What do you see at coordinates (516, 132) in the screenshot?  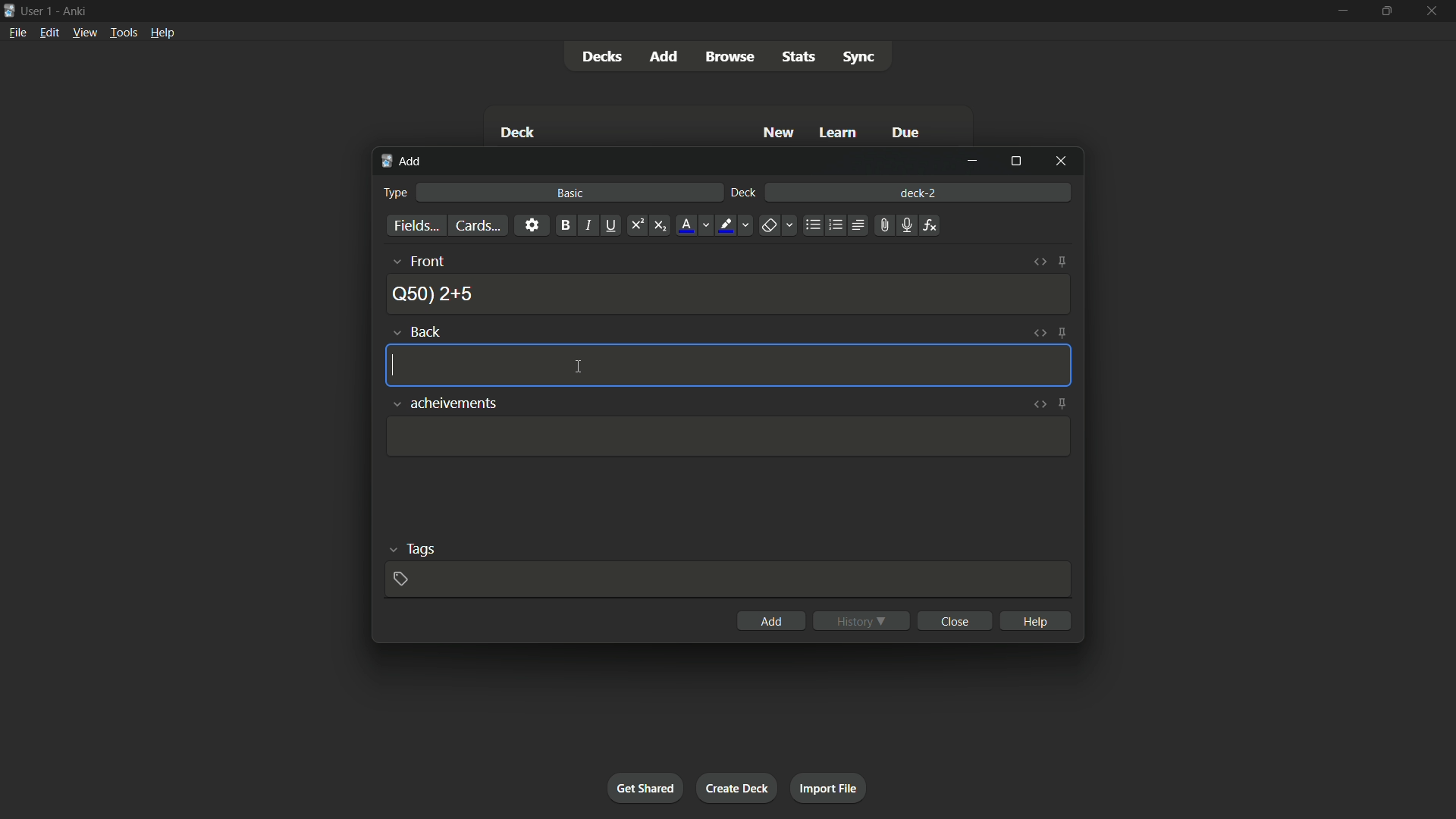 I see `Deck` at bounding box center [516, 132].